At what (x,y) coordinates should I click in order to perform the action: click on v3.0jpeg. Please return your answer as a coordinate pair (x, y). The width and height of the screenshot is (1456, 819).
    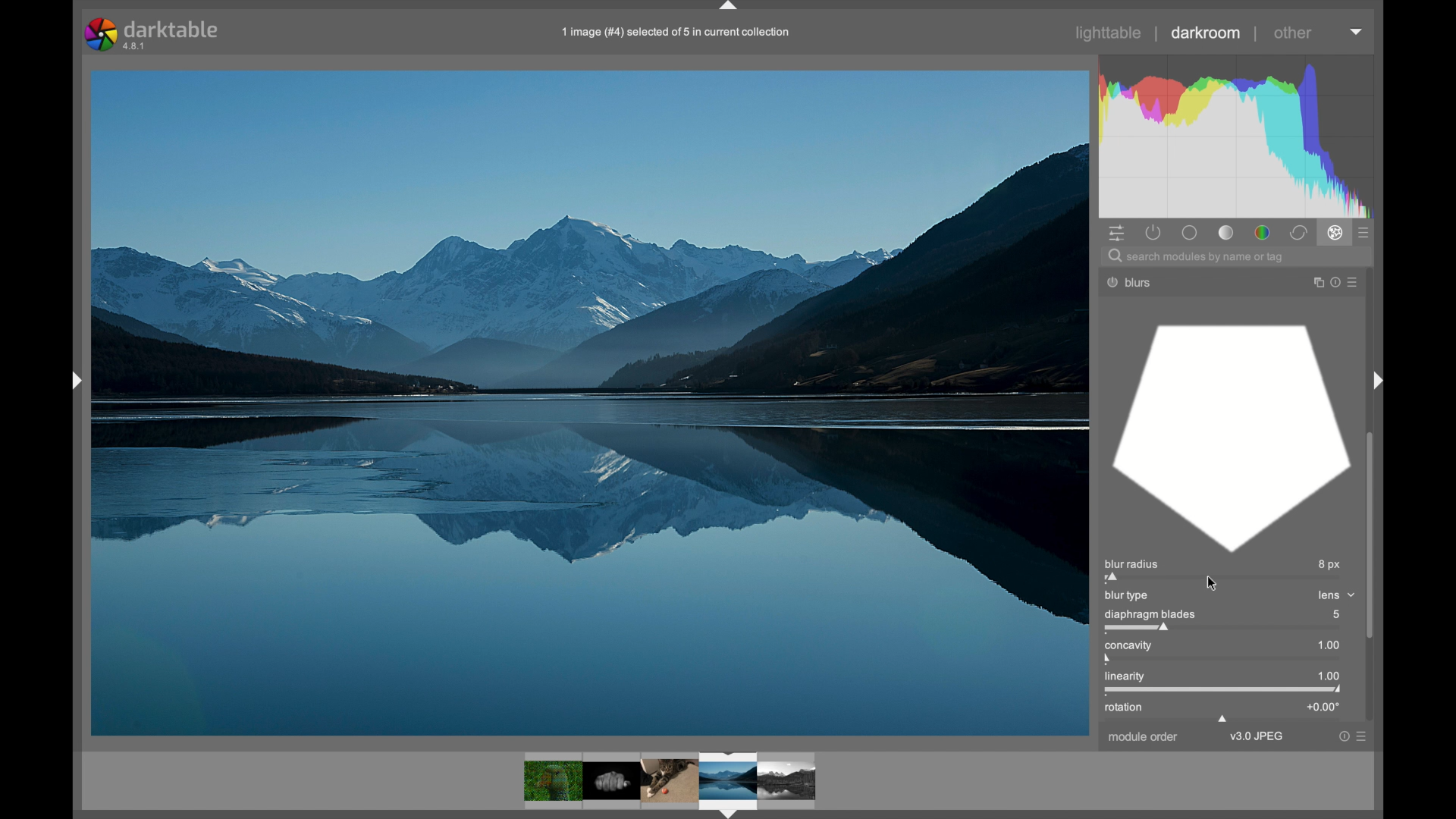
    Looking at the image, I should click on (1256, 736).